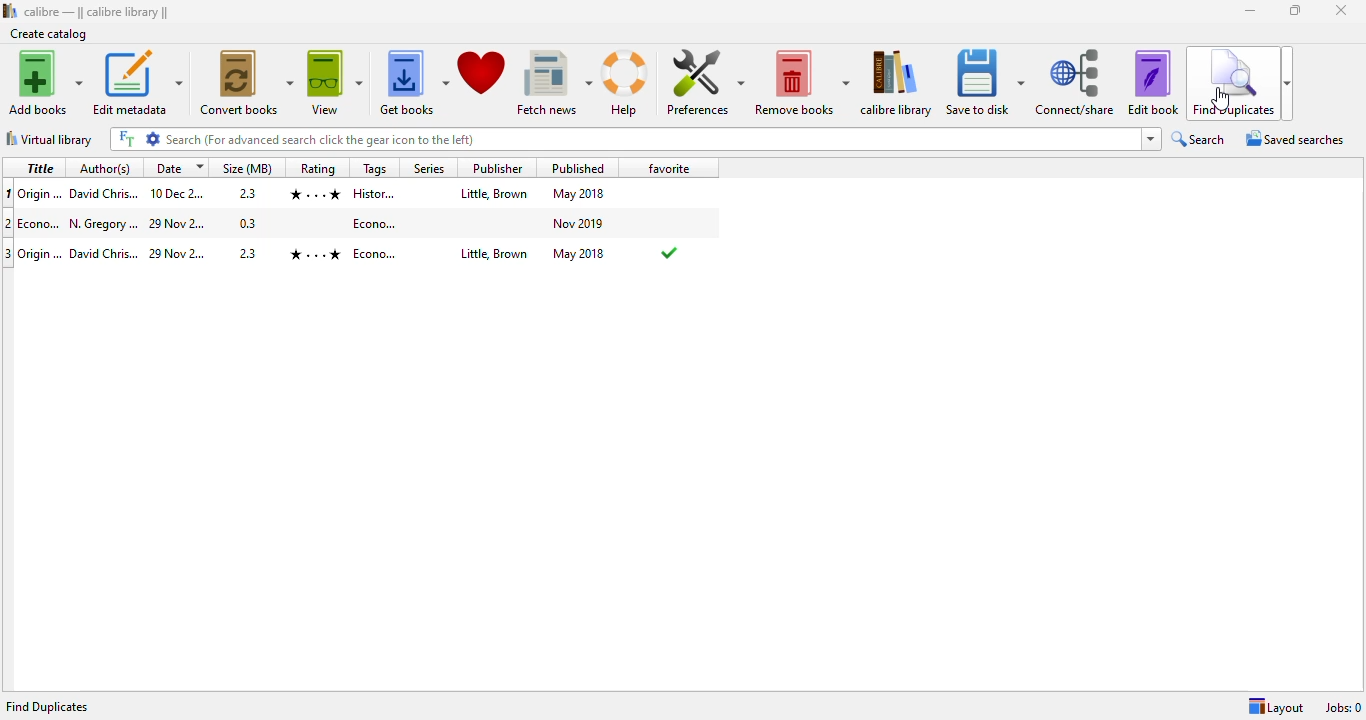 Image resolution: width=1366 pixels, height=720 pixels. Describe the element at coordinates (1154, 83) in the screenshot. I see `edit book` at that location.